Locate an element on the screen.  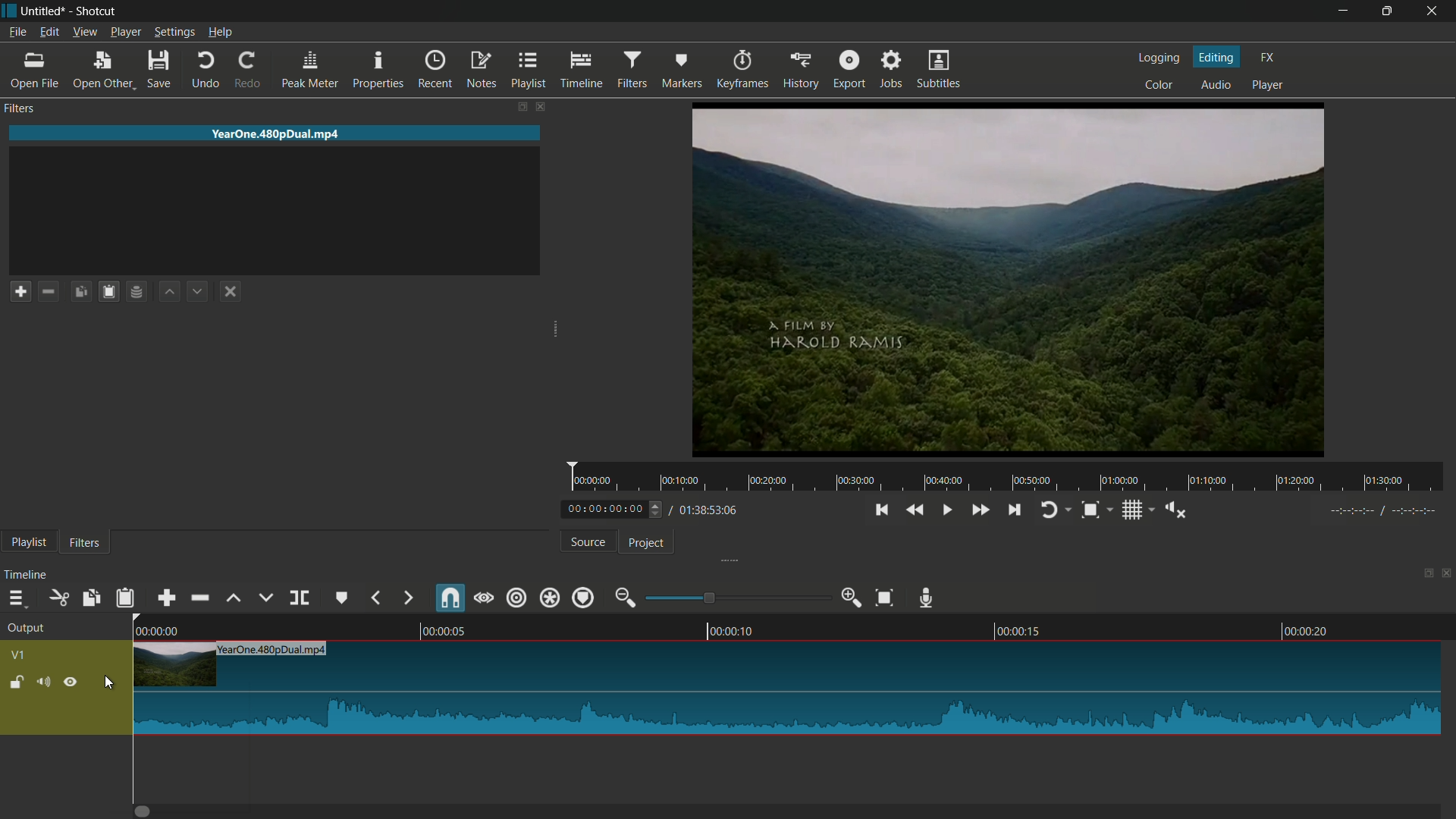
app icon is located at coordinates (9, 10).